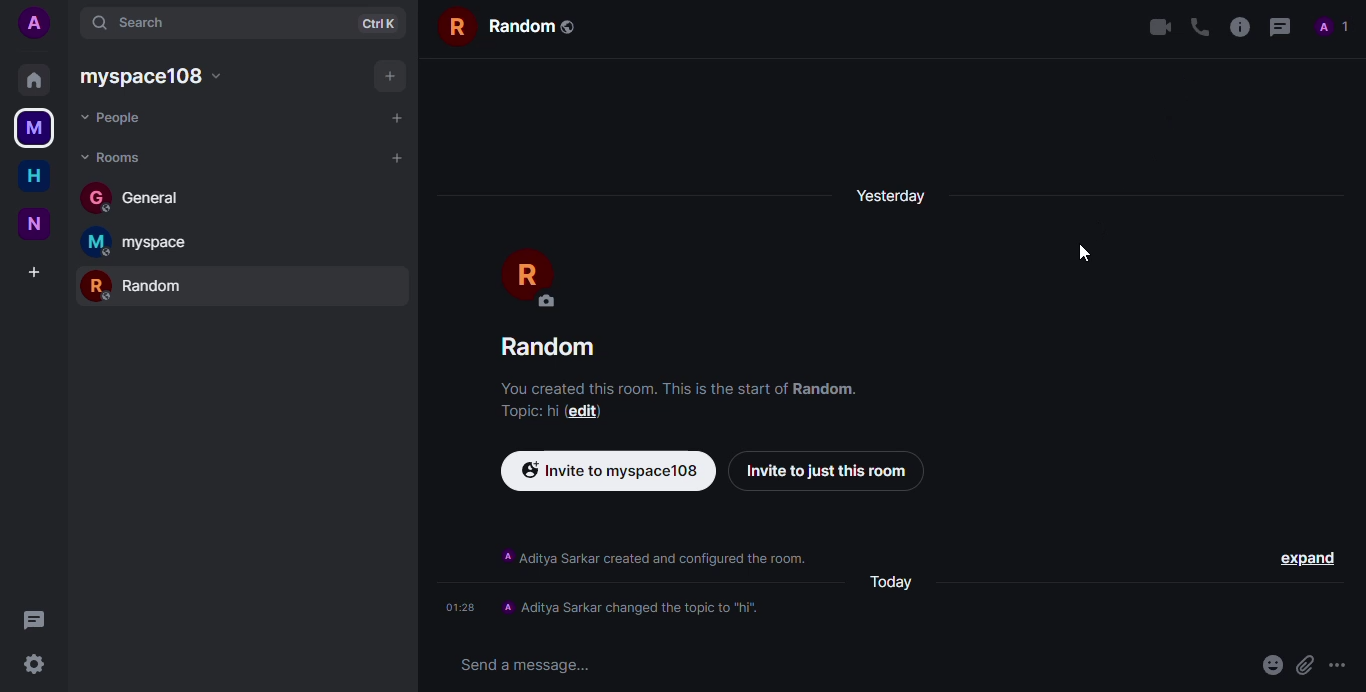 This screenshot has height=692, width=1366. Describe the element at coordinates (33, 619) in the screenshot. I see `threads` at that location.